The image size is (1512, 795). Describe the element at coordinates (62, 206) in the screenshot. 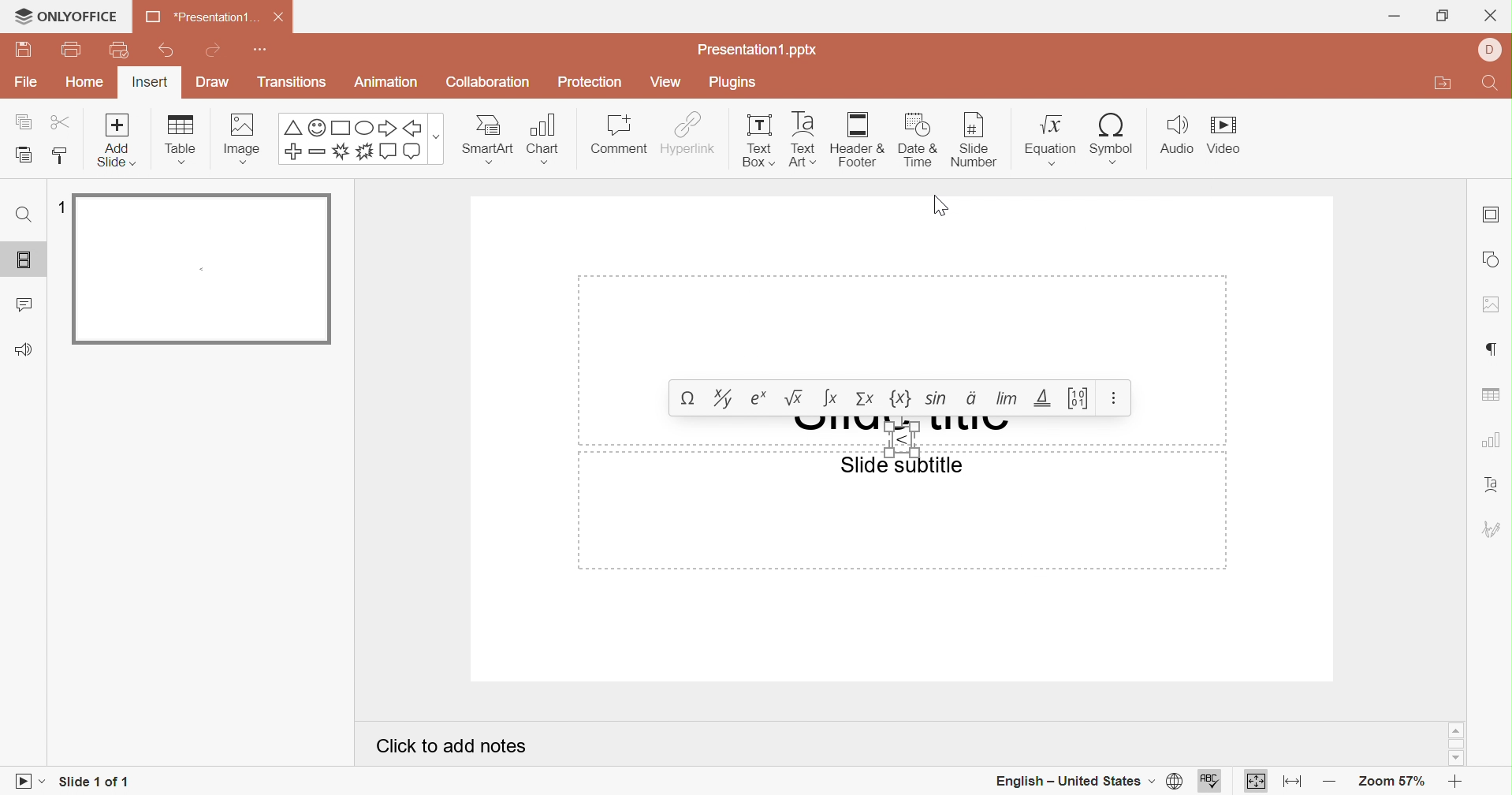

I see `1` at that location.